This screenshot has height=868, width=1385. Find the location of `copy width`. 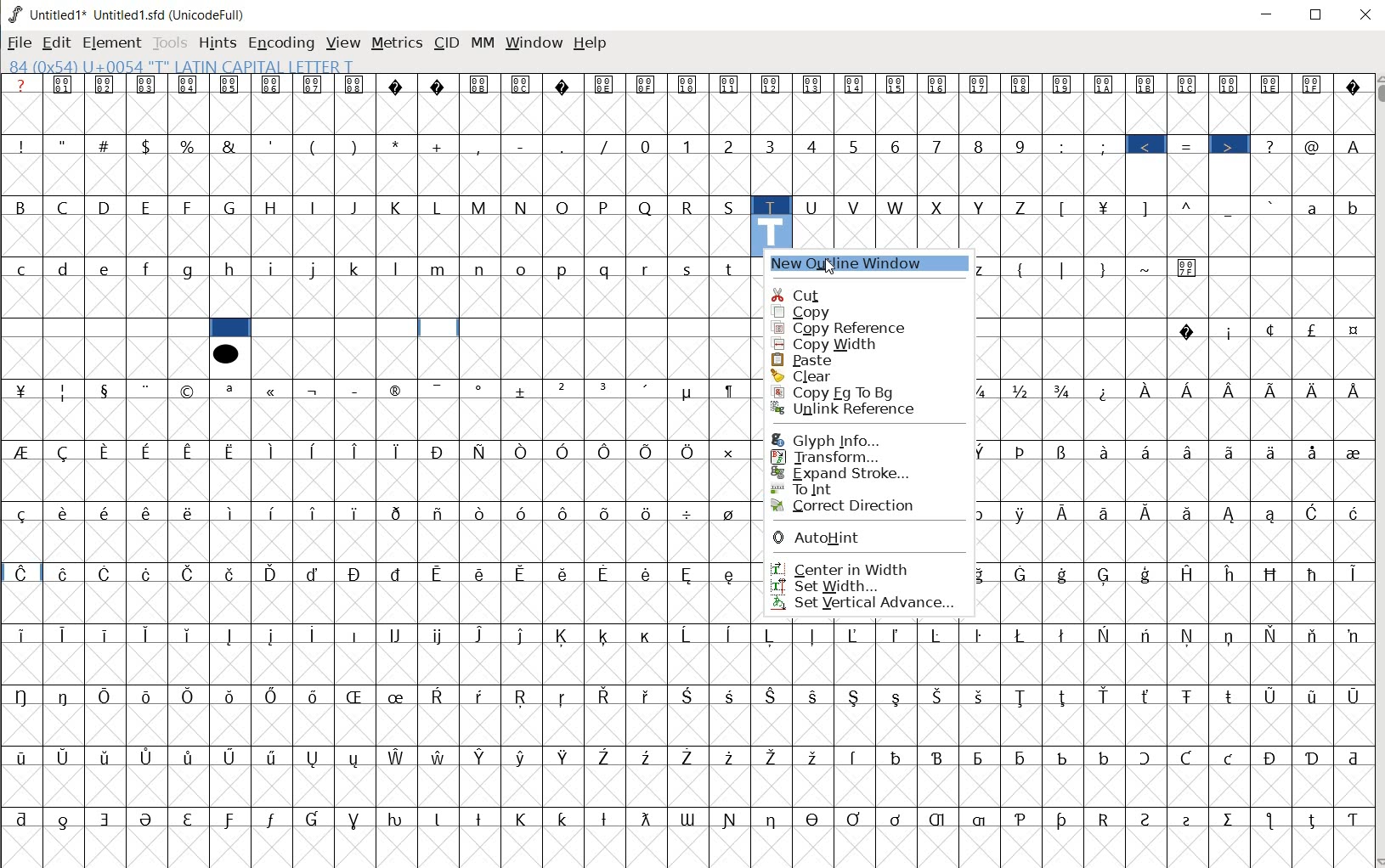

copy width is located at coordinates (828, 344).